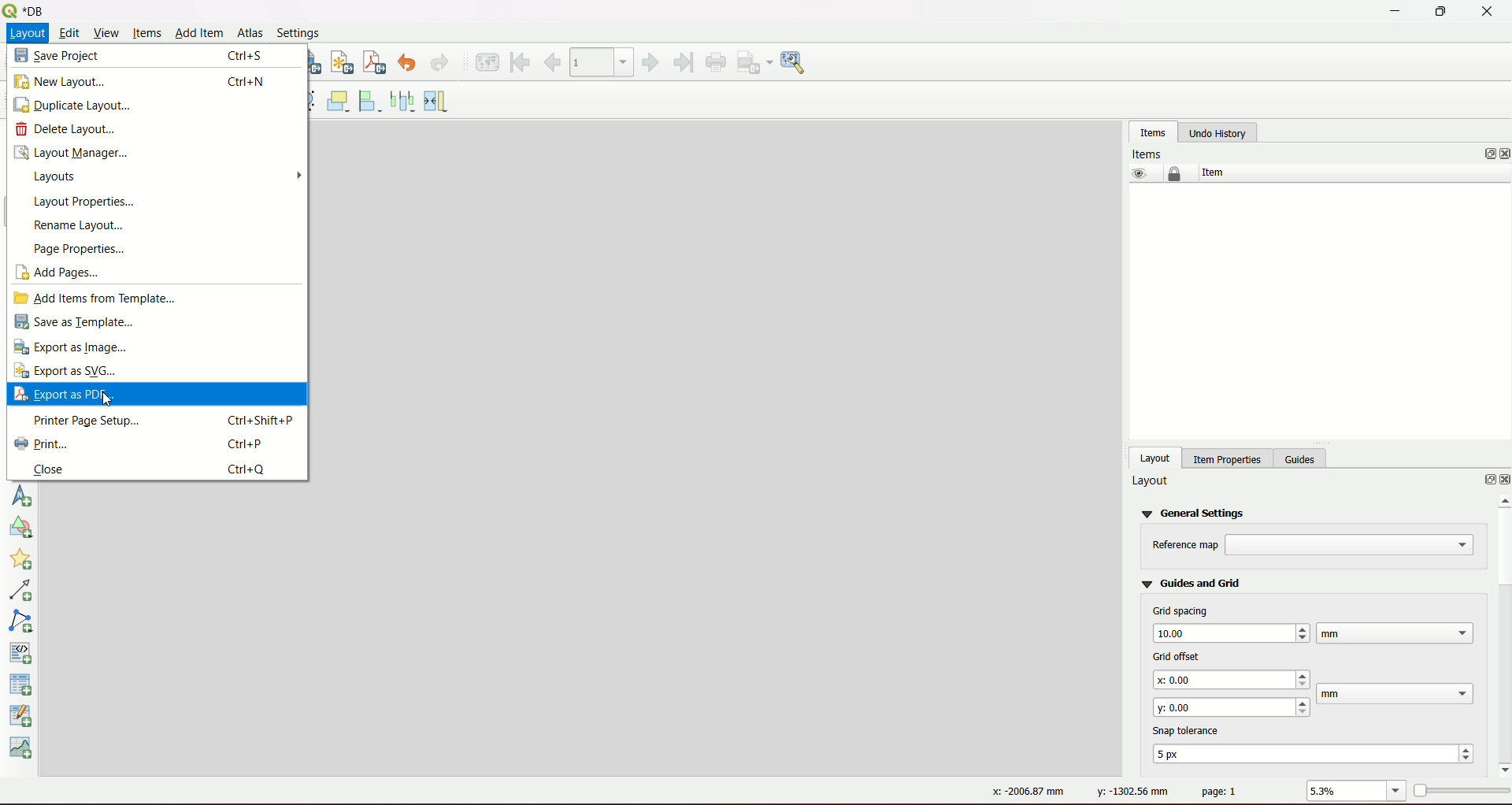 Image resolution: width=1512 pixels, height=805 pixels. I want to click on resize item width, so click(439, 101).